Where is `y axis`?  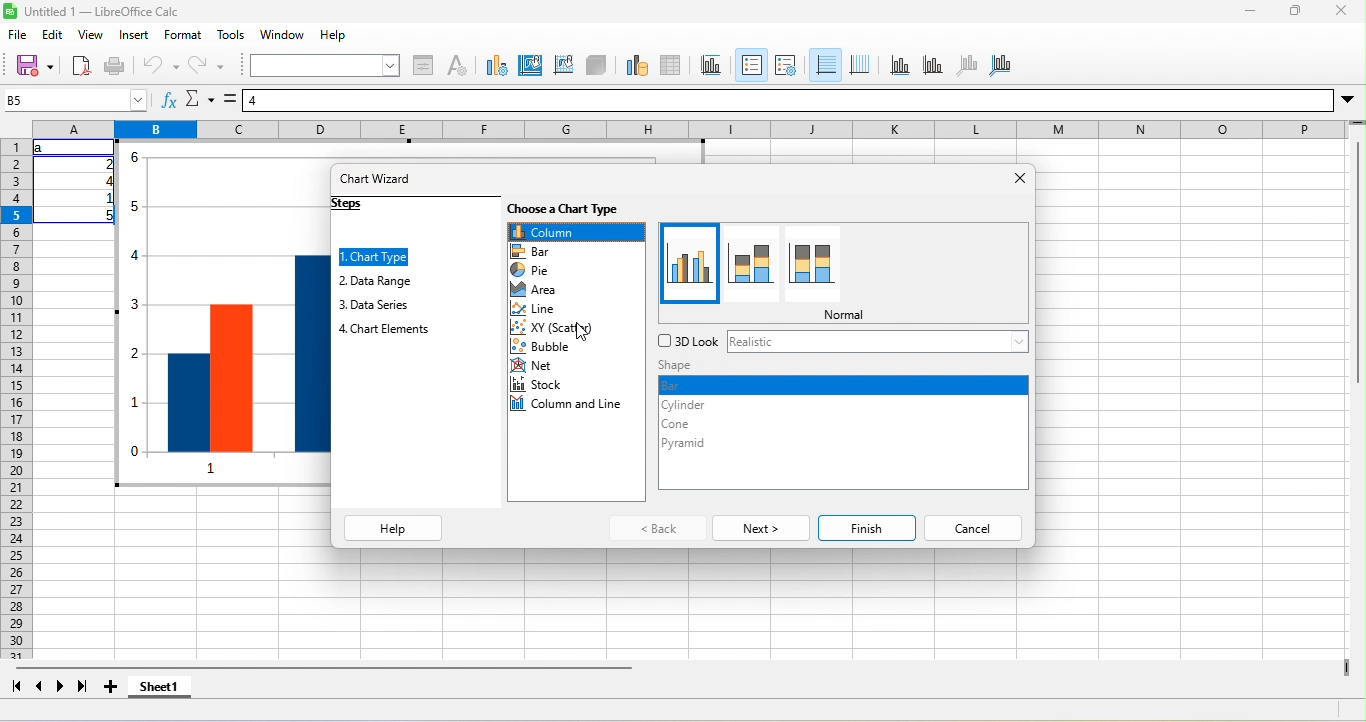 y axis is located at coordinates (934, 67).